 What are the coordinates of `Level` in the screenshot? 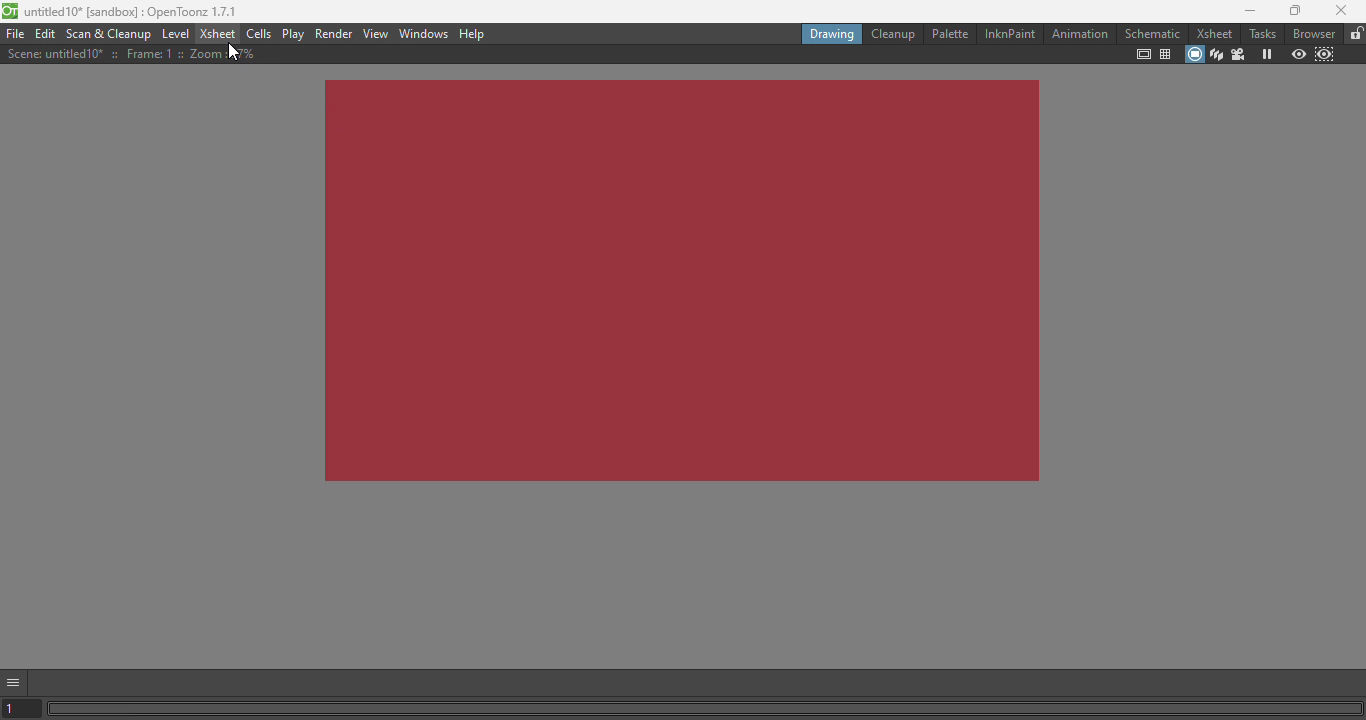 It's located at (176, 34).